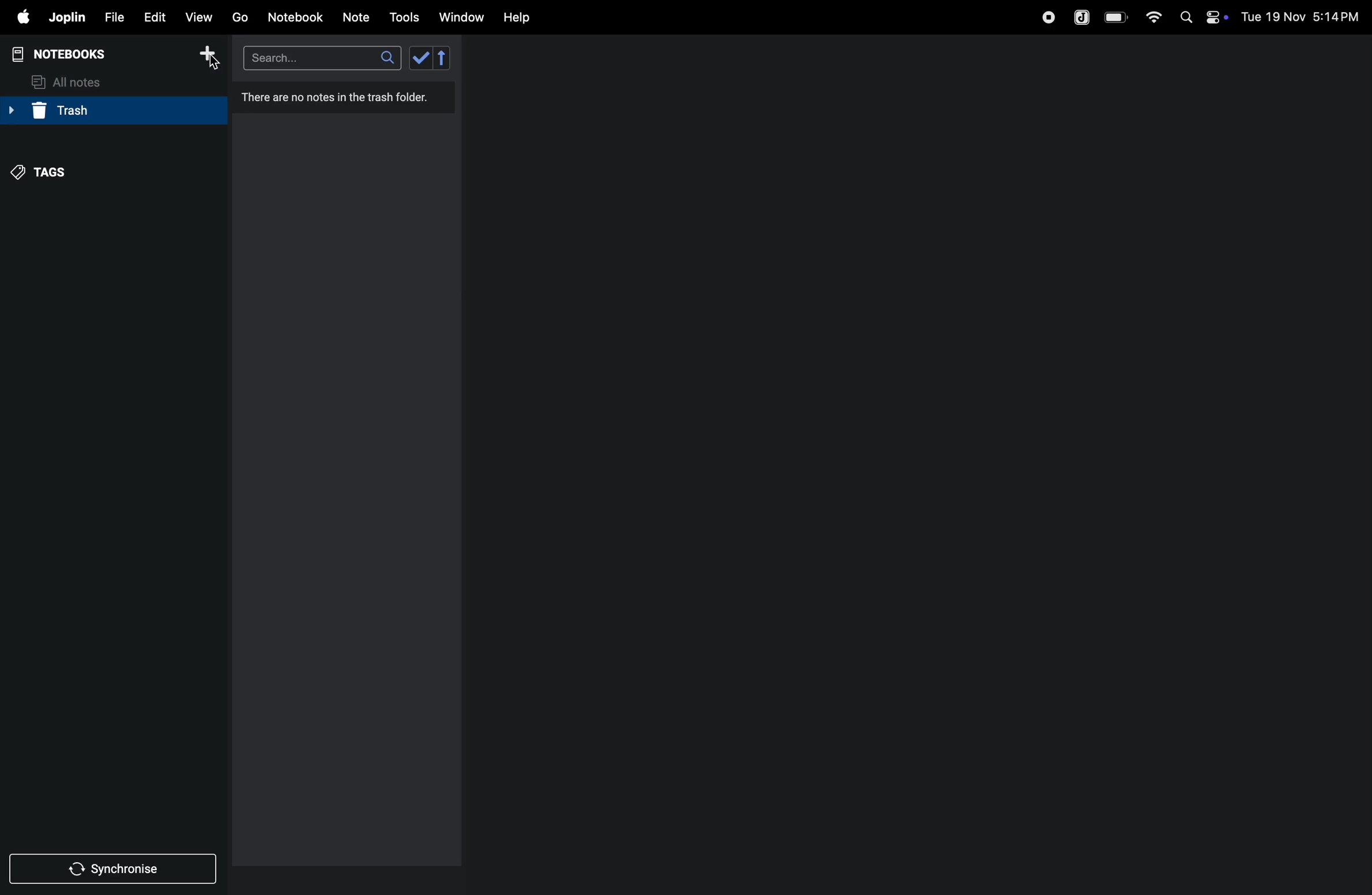 This screenshot has width=1372, height=895. Describe the element at coordinates (1201, 16) in the screenshot. I see `apple widgets` at that location.